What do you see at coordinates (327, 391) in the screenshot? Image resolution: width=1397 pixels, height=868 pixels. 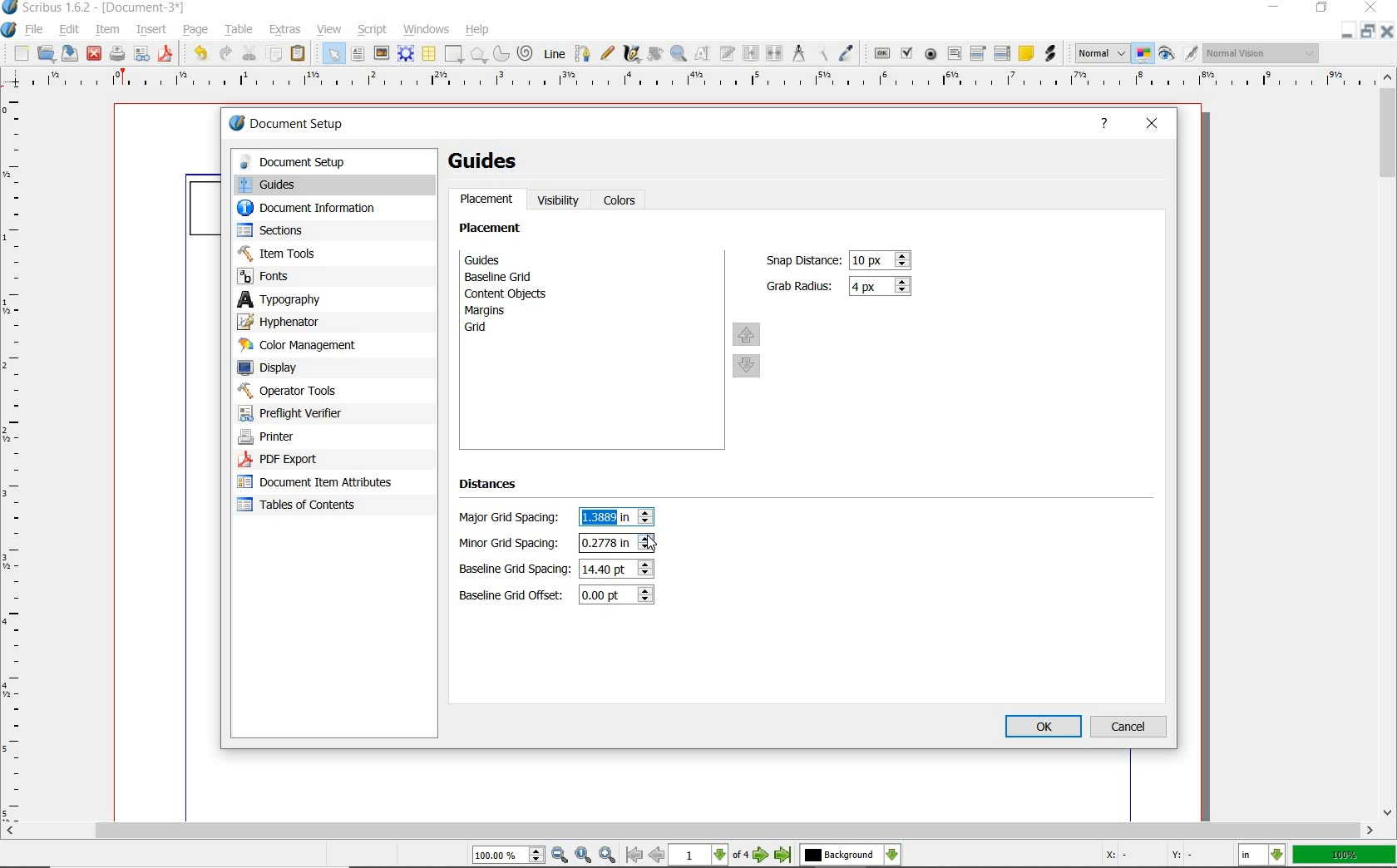 I see `operator tools` at bounding box center [327, 391].